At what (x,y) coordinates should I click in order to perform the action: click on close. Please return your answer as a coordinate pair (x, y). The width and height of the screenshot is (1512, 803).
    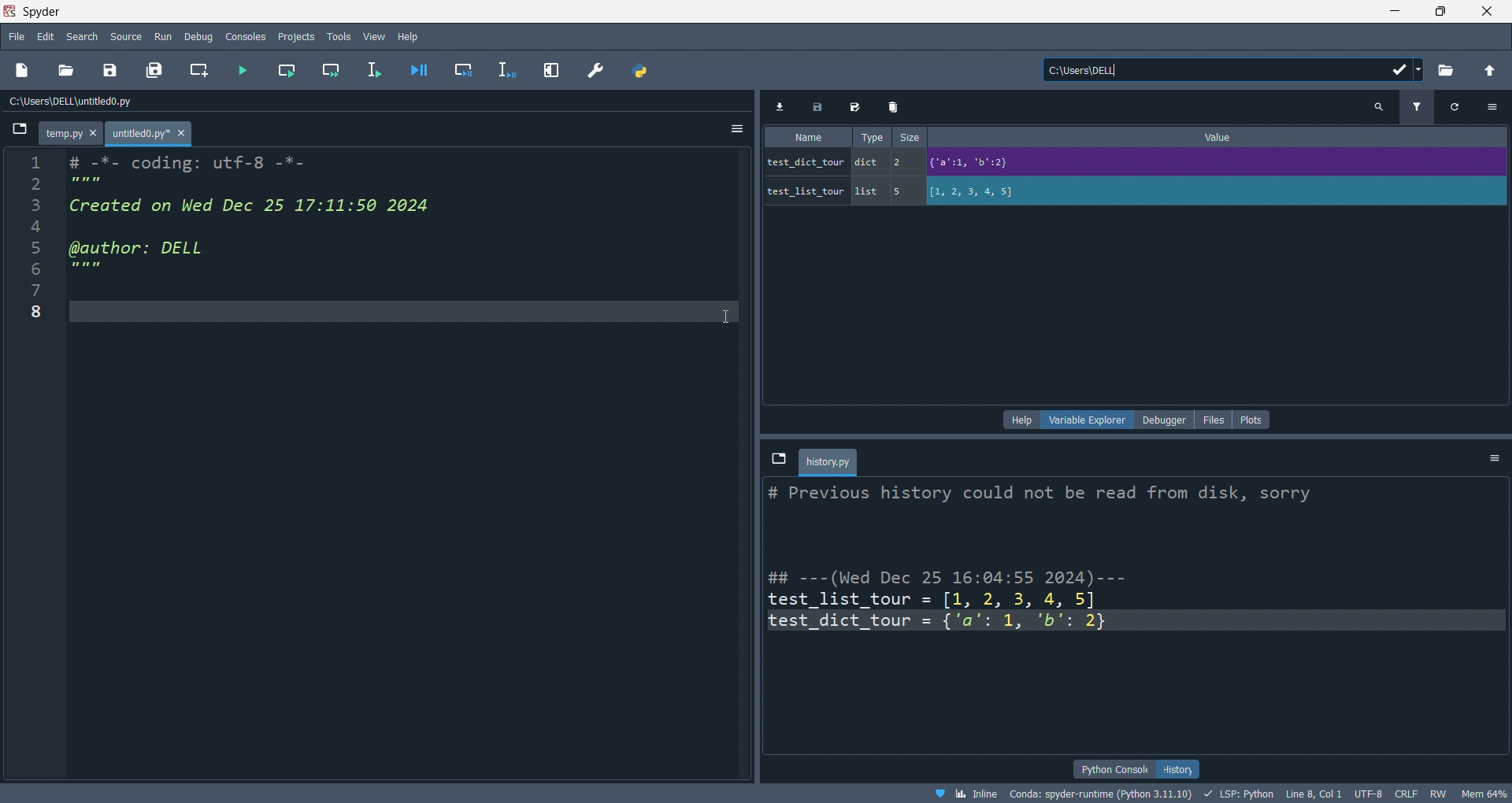
    Looking at the image, I should click on (1488, 11).